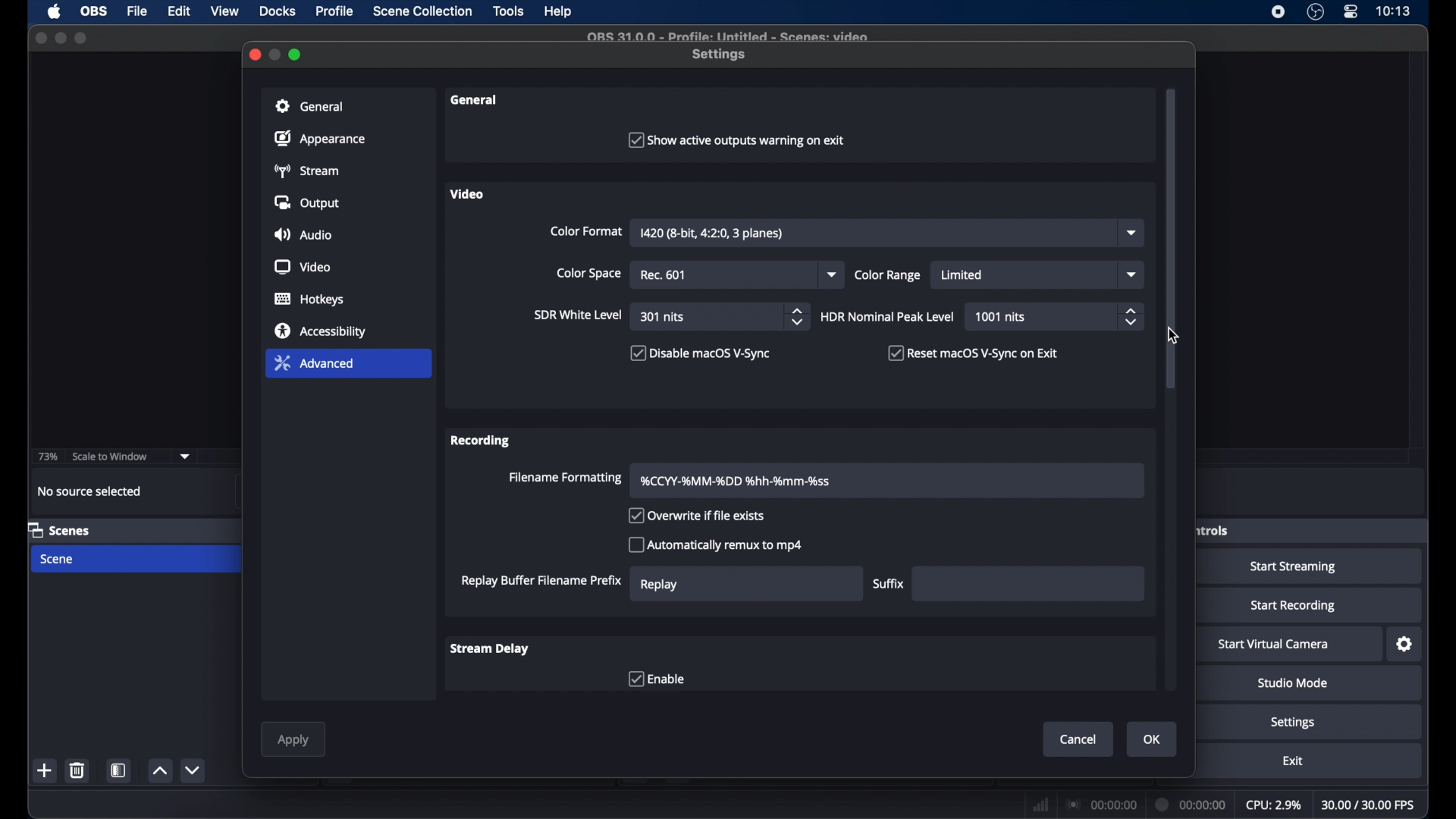 The width and height of the screenshot is (1456, 819). What do you see at coordinates (303, 268) in the screenshot?
I see `video` at bounding box center [303, 268].